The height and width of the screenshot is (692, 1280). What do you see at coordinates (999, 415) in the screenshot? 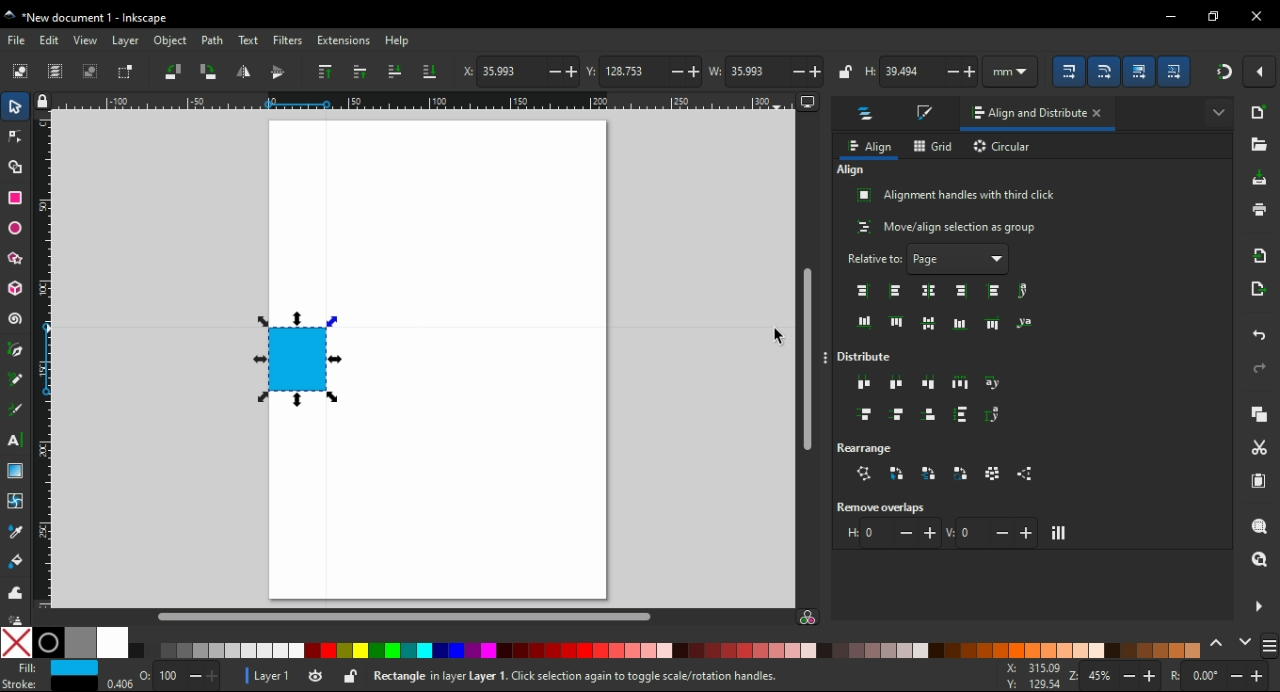
I see `distribute anchors vertically ` at bounding box center [999, 415].